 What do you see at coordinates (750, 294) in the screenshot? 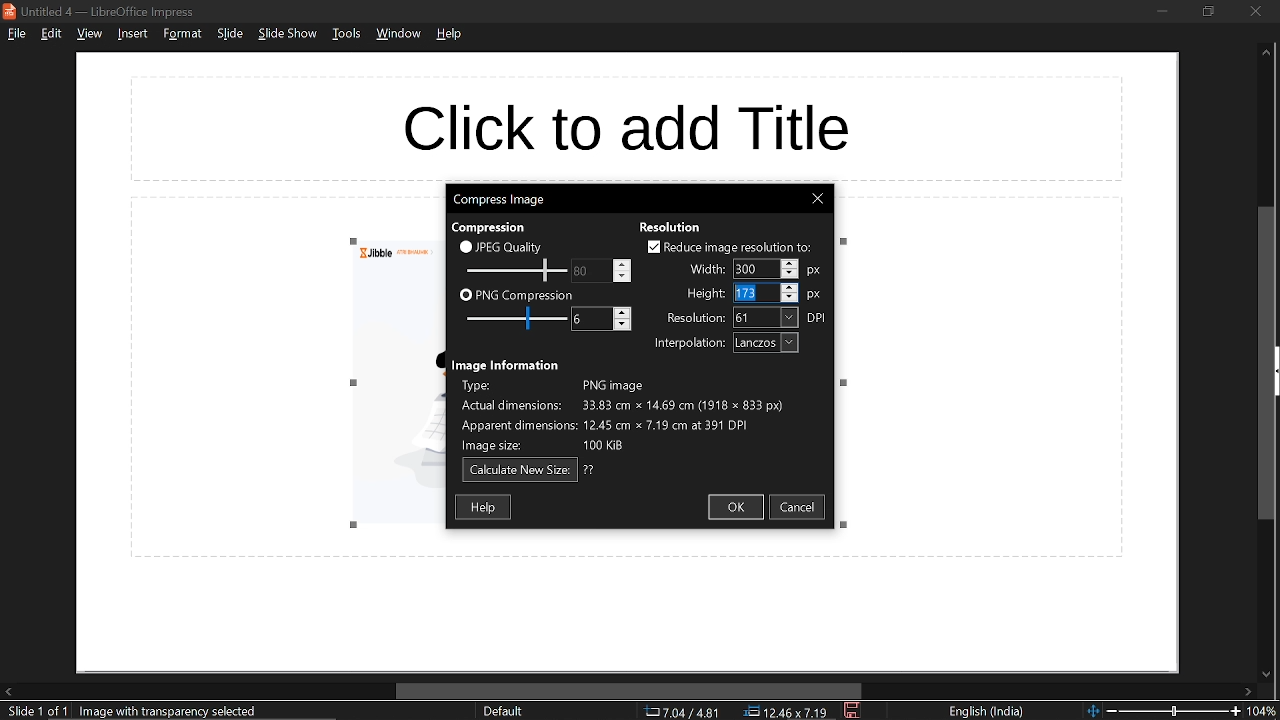
I see `Selected` at bounding box center [750, 294].